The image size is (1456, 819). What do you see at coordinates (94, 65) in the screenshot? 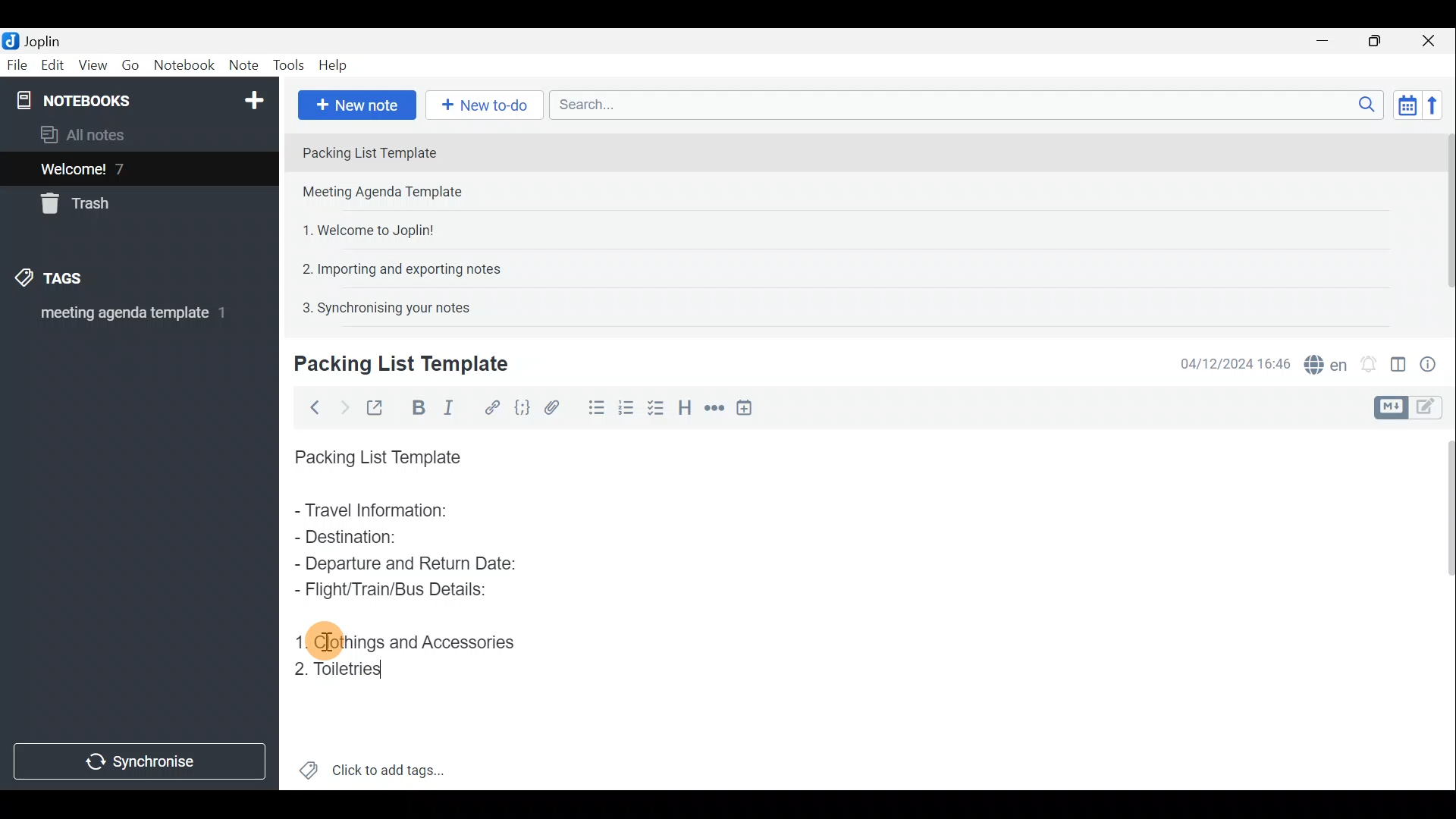
I see `View` at bounding box center [94, 65].